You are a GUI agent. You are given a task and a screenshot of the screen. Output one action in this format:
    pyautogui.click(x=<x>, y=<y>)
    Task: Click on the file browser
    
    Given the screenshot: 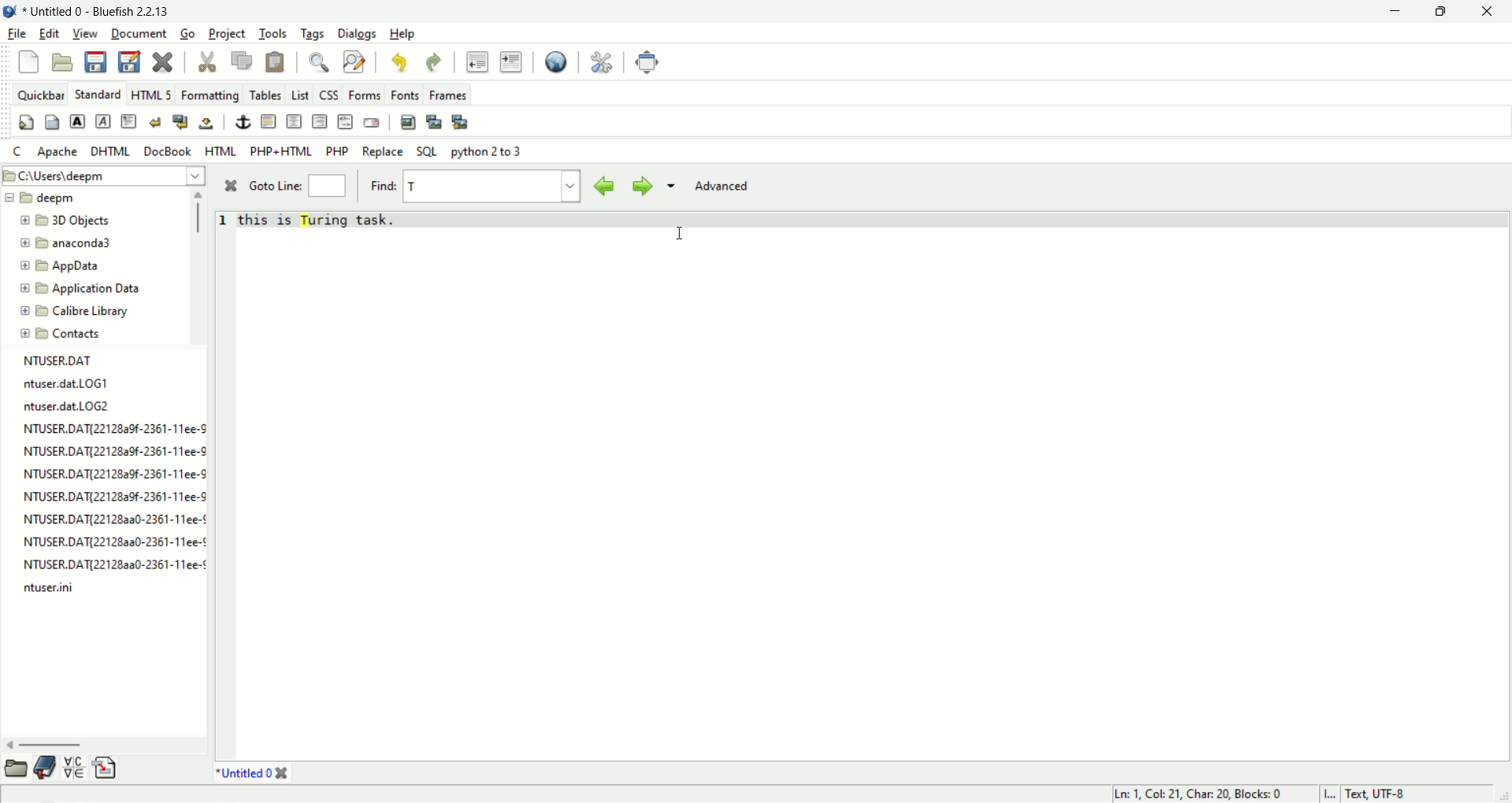 What is the action you would take?
    pyautogui.click(x=15, y=767)
    